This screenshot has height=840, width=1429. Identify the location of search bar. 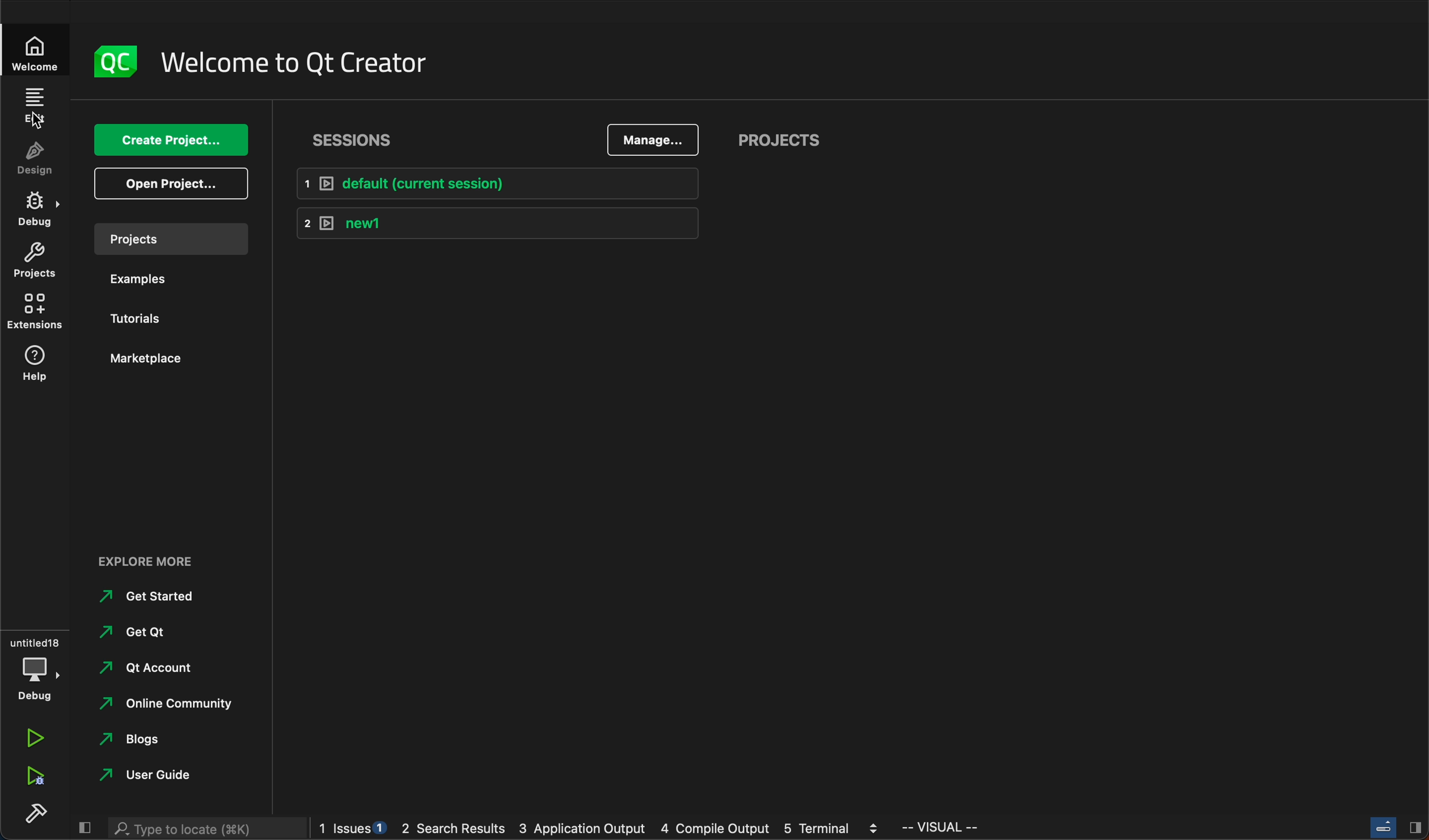
(204, 827).